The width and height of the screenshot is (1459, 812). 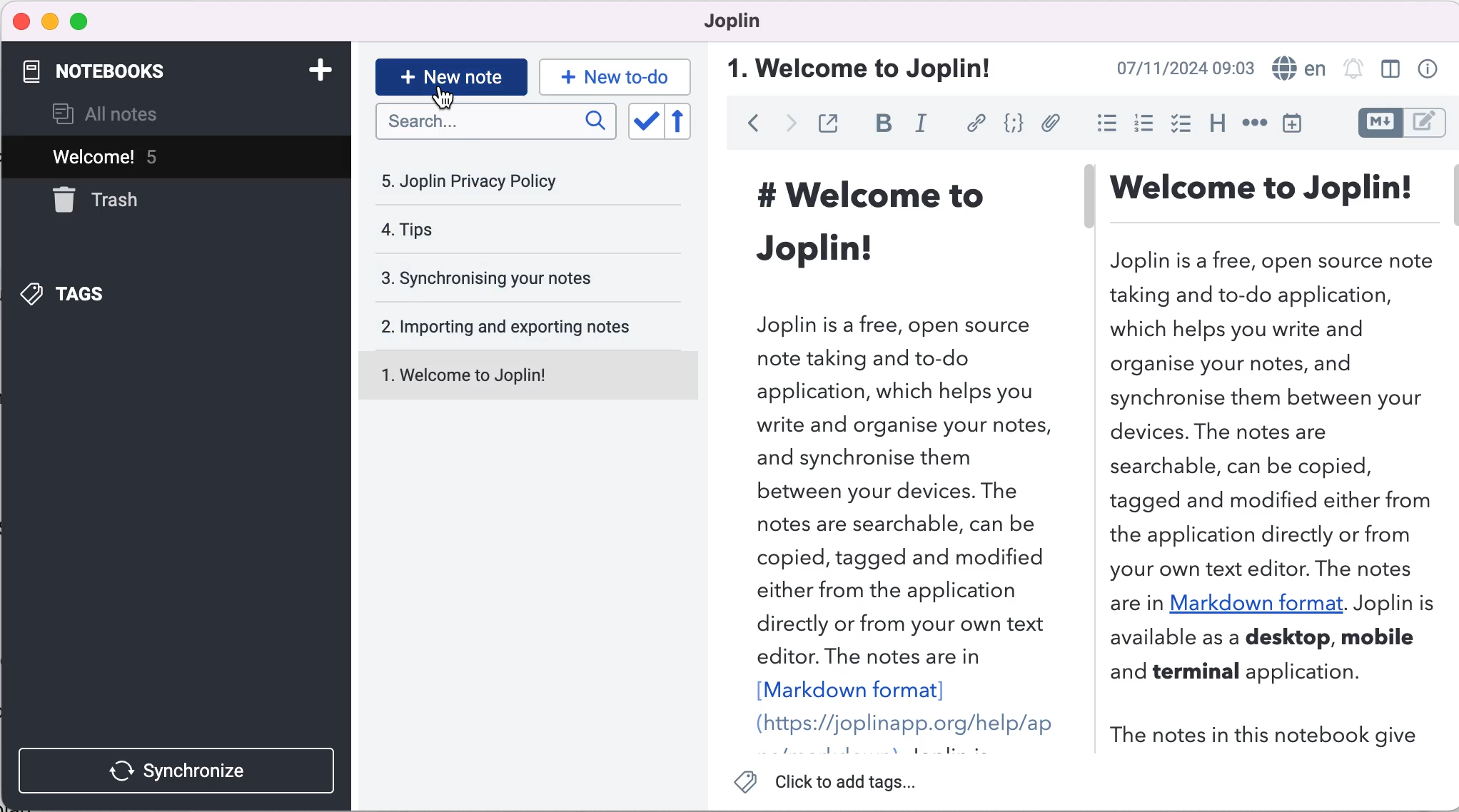 What do you see at coordinates (832, 123) in the screenshot?
I see `toggle external editing` at bounding box center [832, 123].